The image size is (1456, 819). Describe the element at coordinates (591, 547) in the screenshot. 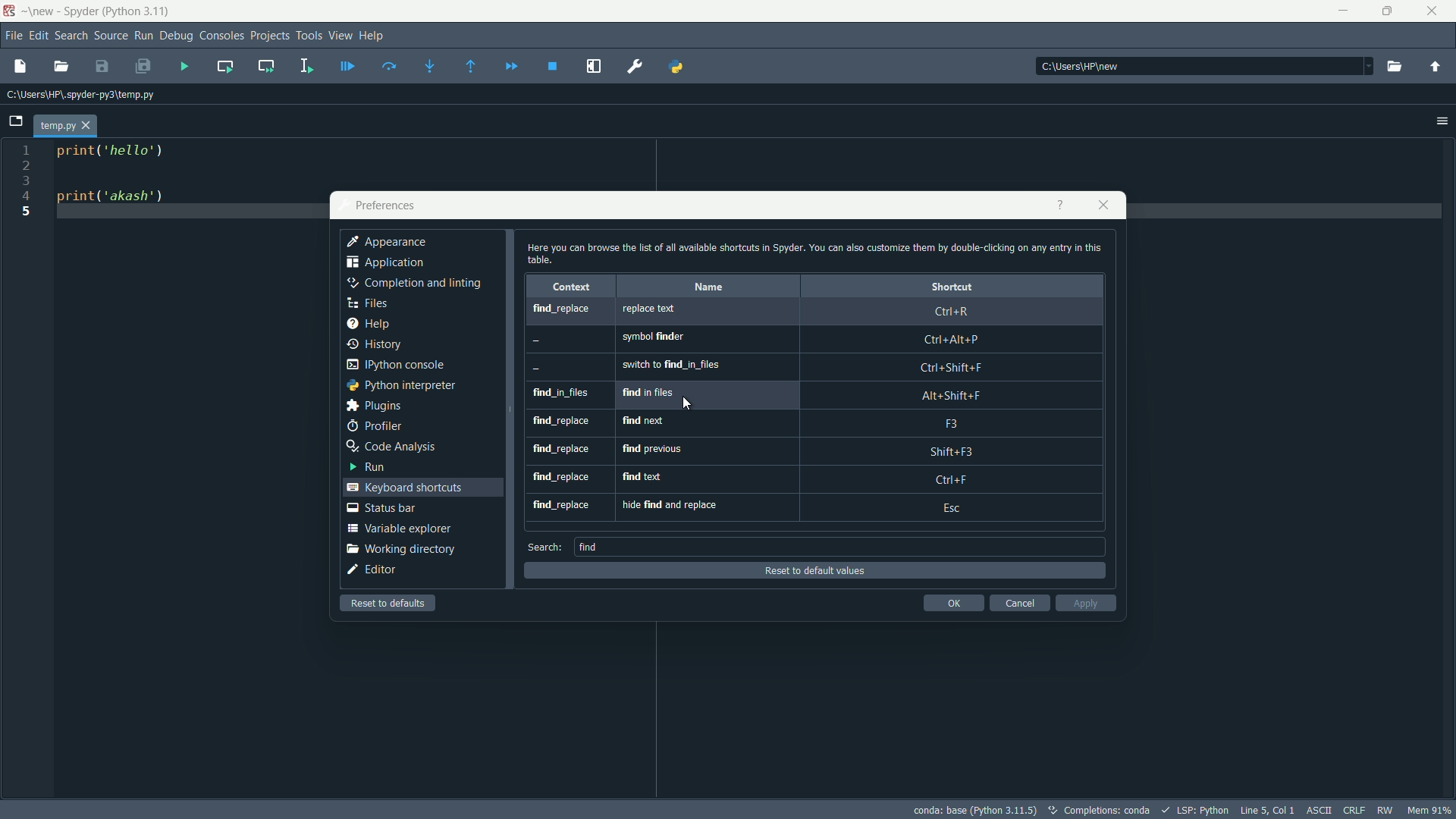

I see `find` at that location.